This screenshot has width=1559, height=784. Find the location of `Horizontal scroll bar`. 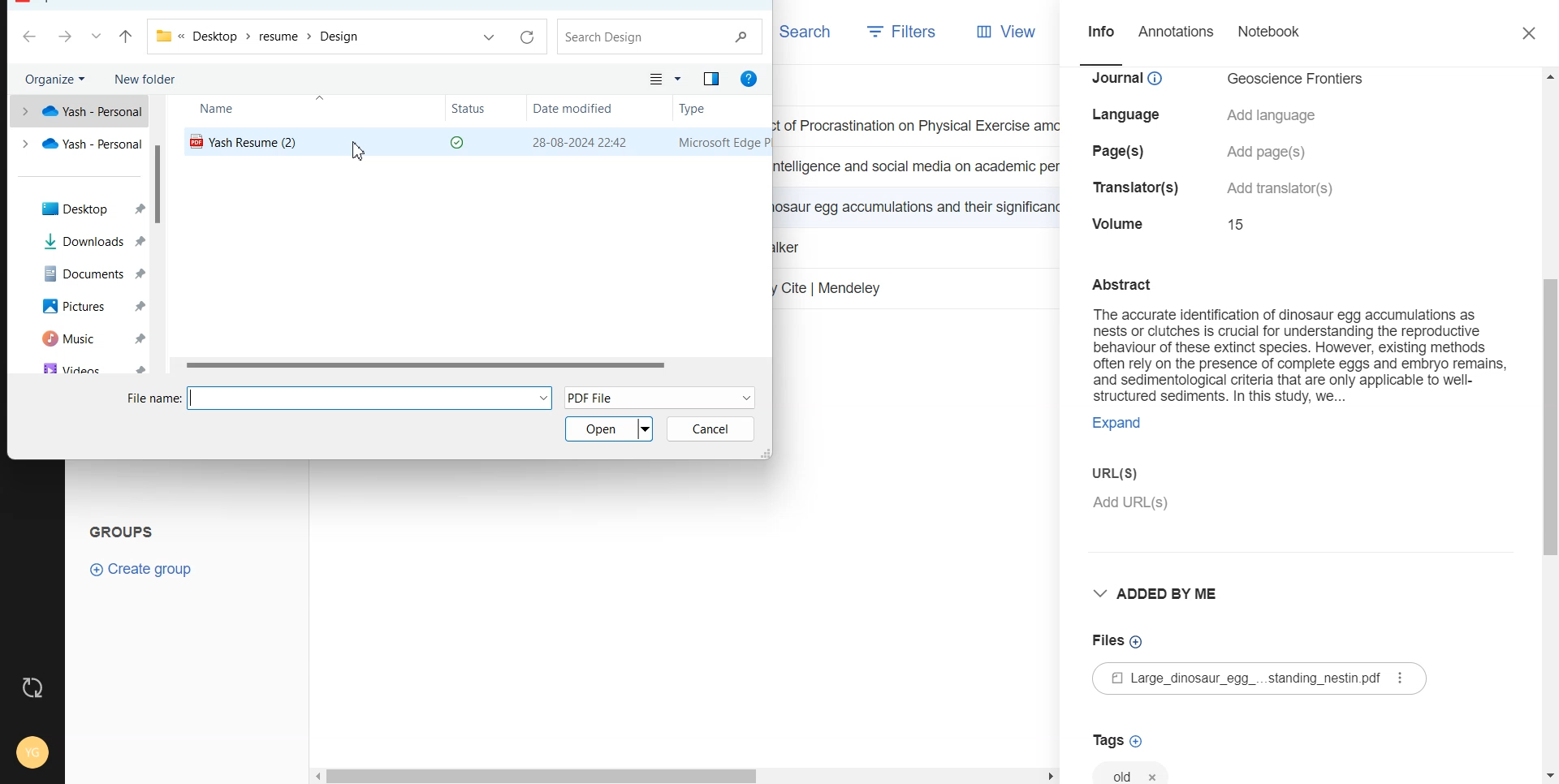

Horizontal scroll bar is located at coordinates (684, 776).